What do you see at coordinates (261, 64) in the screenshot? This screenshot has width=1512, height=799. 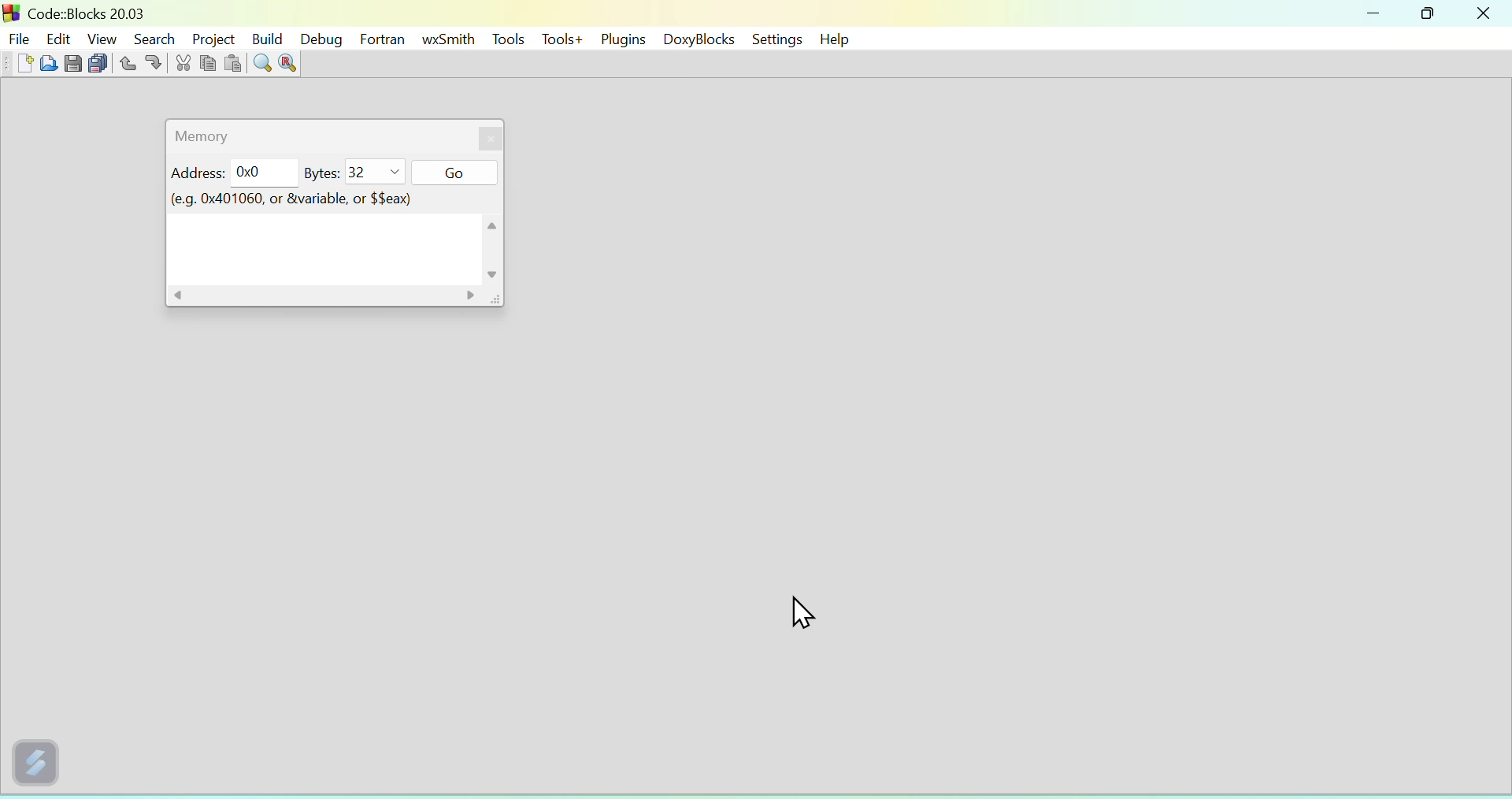 I see `find` at bounding box center [261, 64].